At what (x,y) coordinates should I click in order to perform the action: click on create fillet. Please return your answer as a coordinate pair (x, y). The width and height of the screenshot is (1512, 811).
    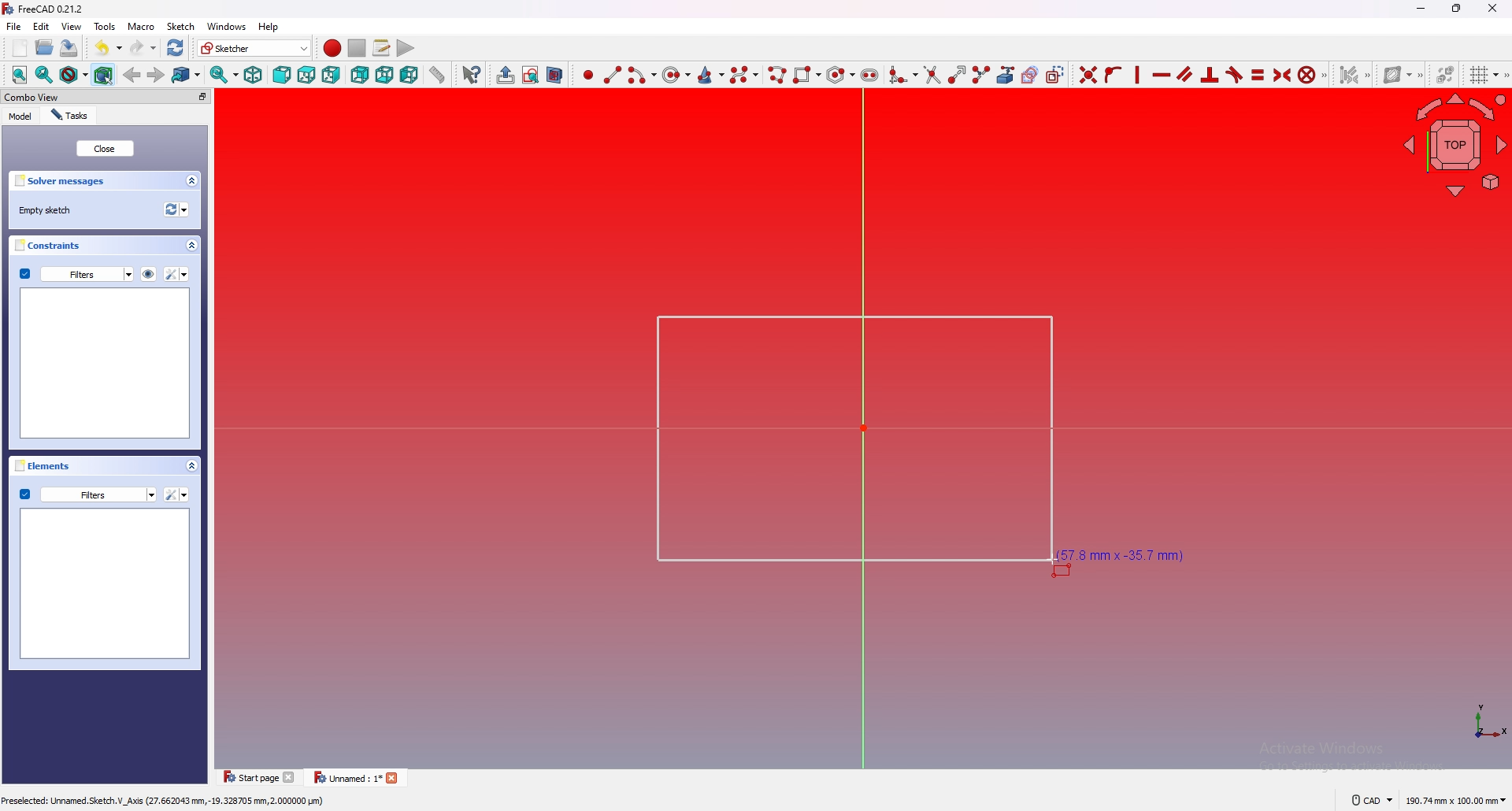
    Looking at the image, I should click on (904, 75).